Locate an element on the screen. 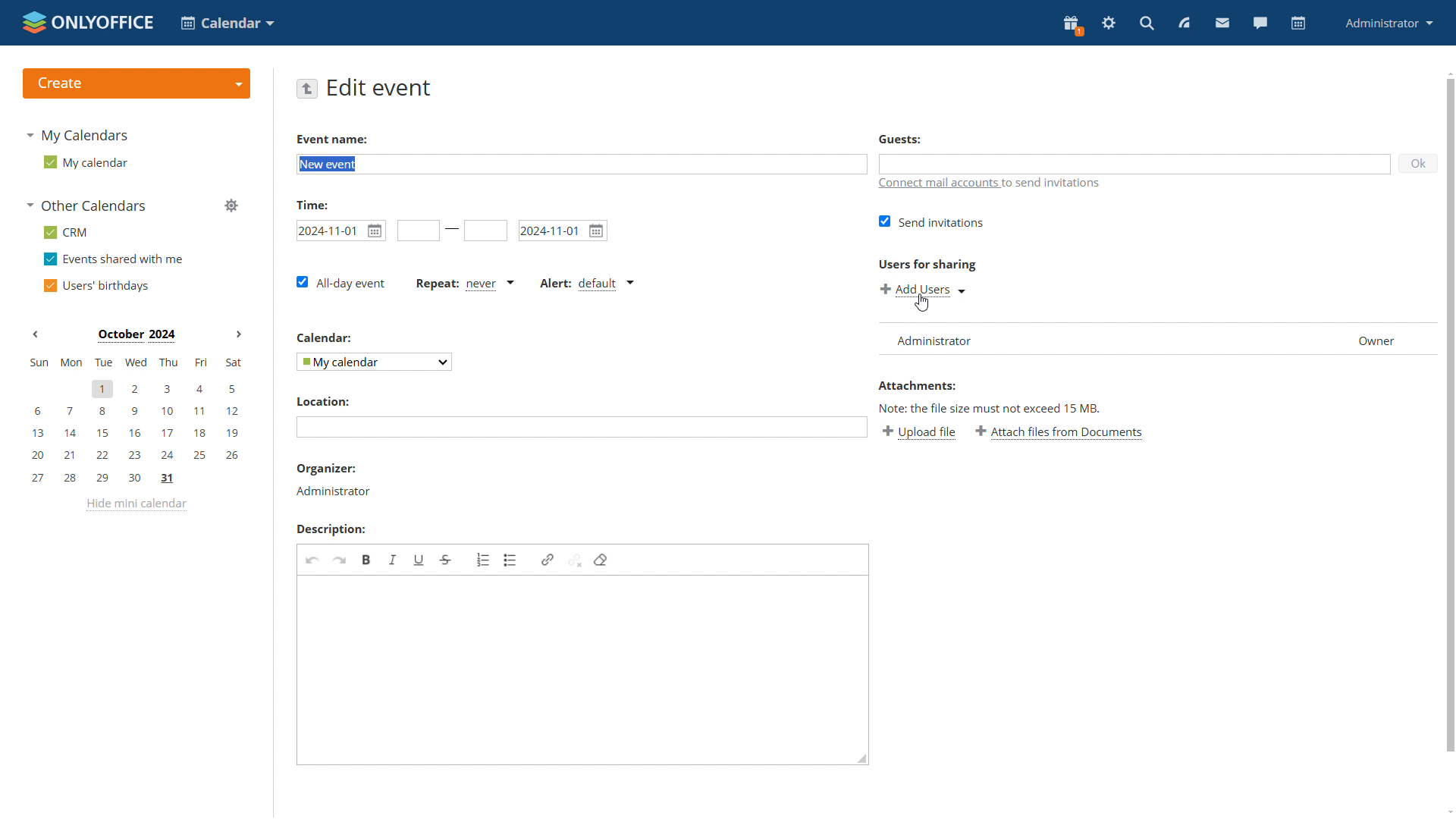 The image size is (1456, 819). calendar is located at coordinates (1299, 24).